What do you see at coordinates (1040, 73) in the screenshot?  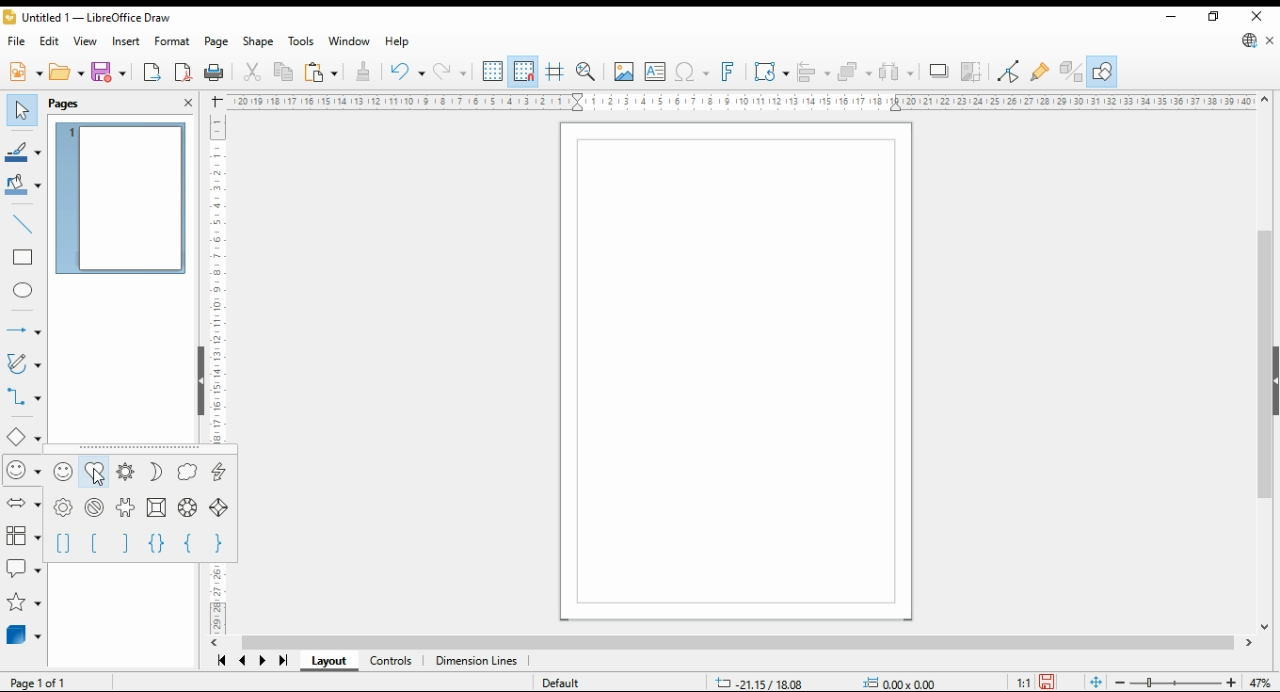 I see `show gluepoint functions` at bounding box center [1040, 73].